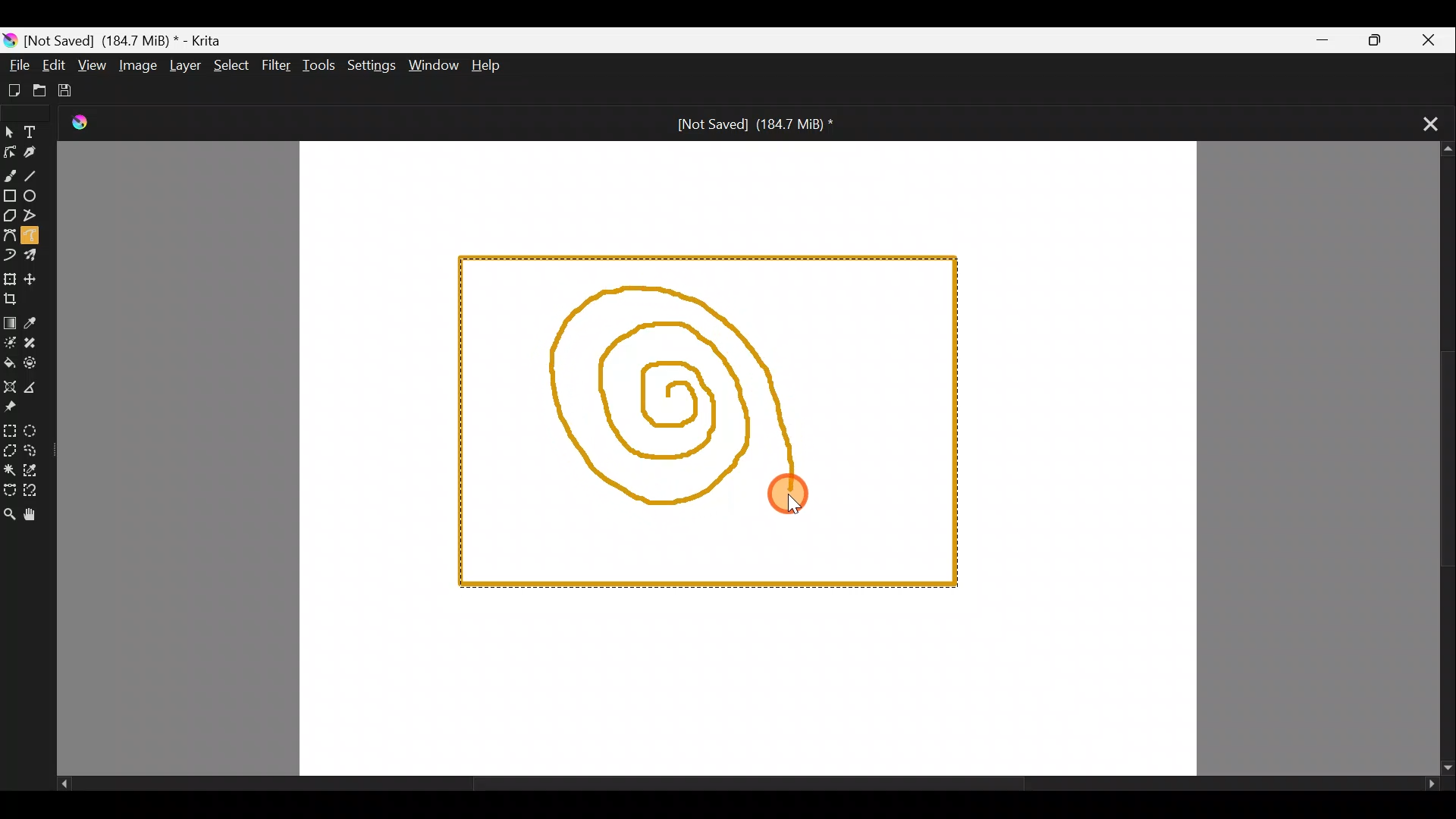 This screenshot has height=819, width=1456. I want to click on Maximize, so click(1379, 39).